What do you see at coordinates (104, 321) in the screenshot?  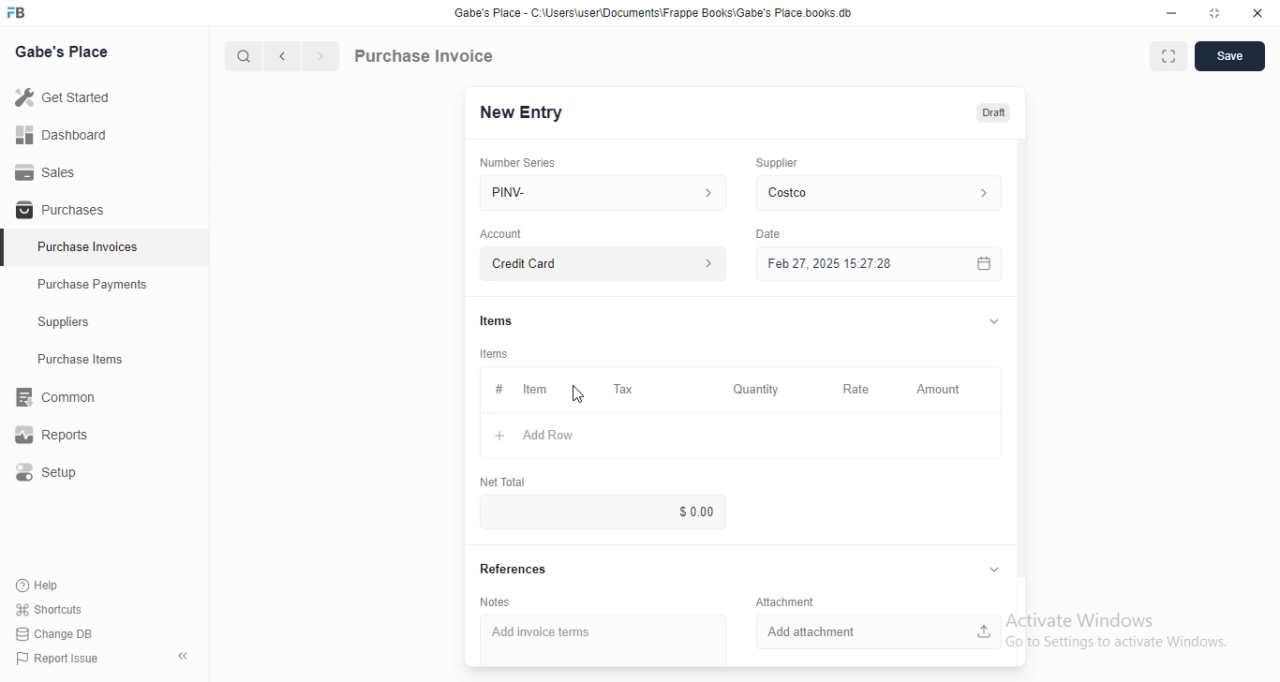 I see `Suppliers` at bounding box center [104, 321].